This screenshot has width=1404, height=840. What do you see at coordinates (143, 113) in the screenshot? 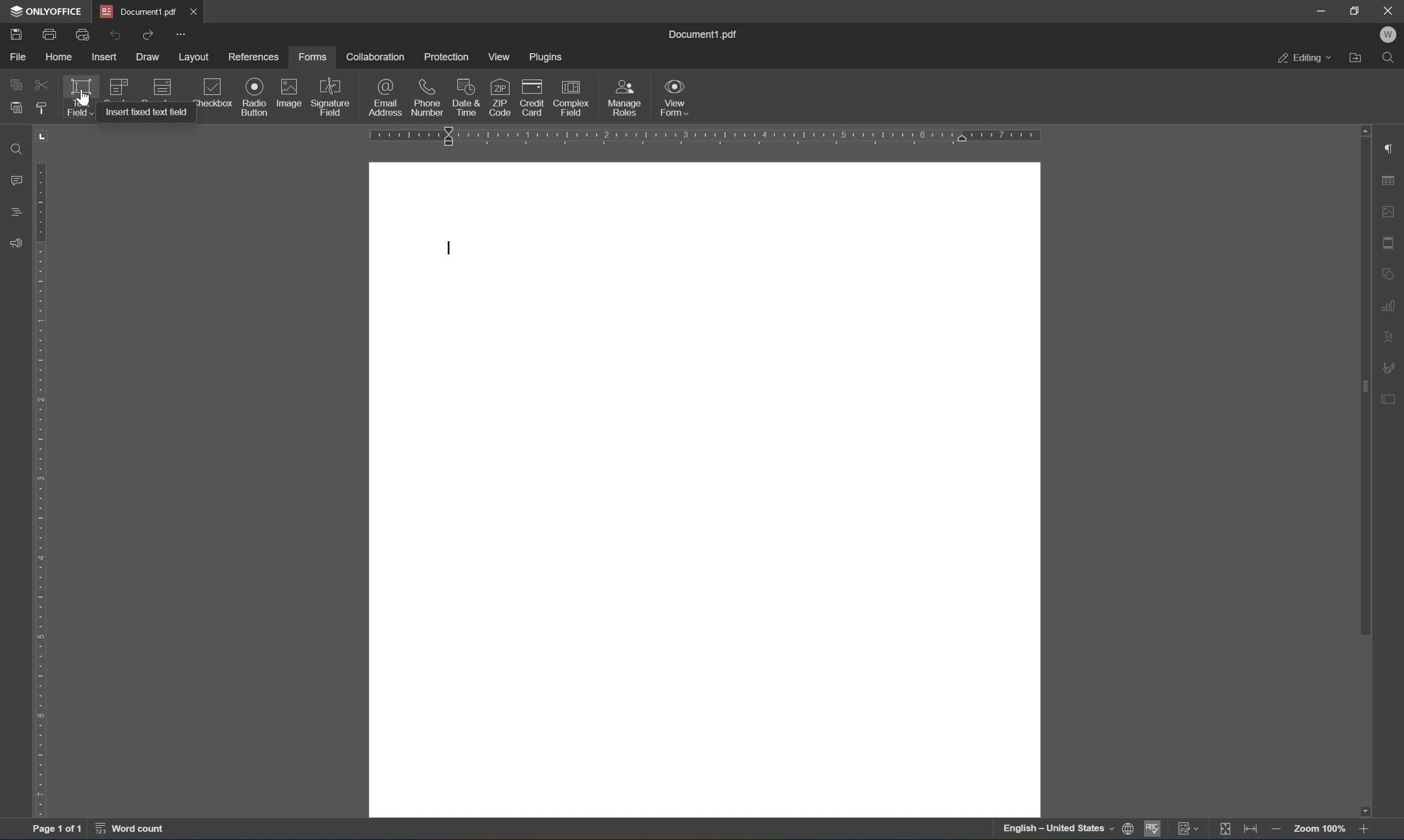
I see `insert fixed text field` at bounding box center [143, 113].